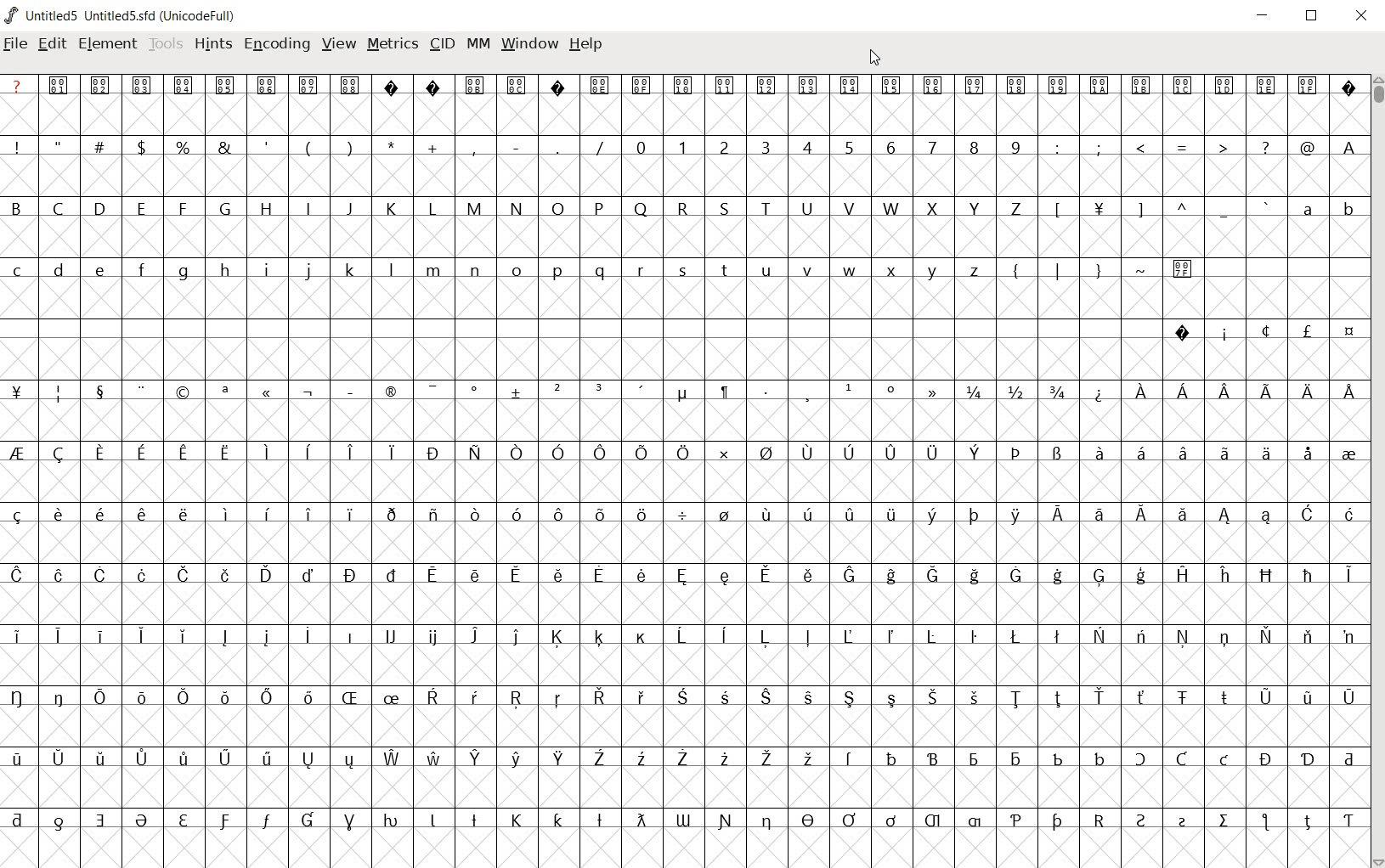 The height and width of the screenshot is (868, 1385). Describe the element at coordinates (640, 758) in the screenshot. I see `Symbol` at that location.